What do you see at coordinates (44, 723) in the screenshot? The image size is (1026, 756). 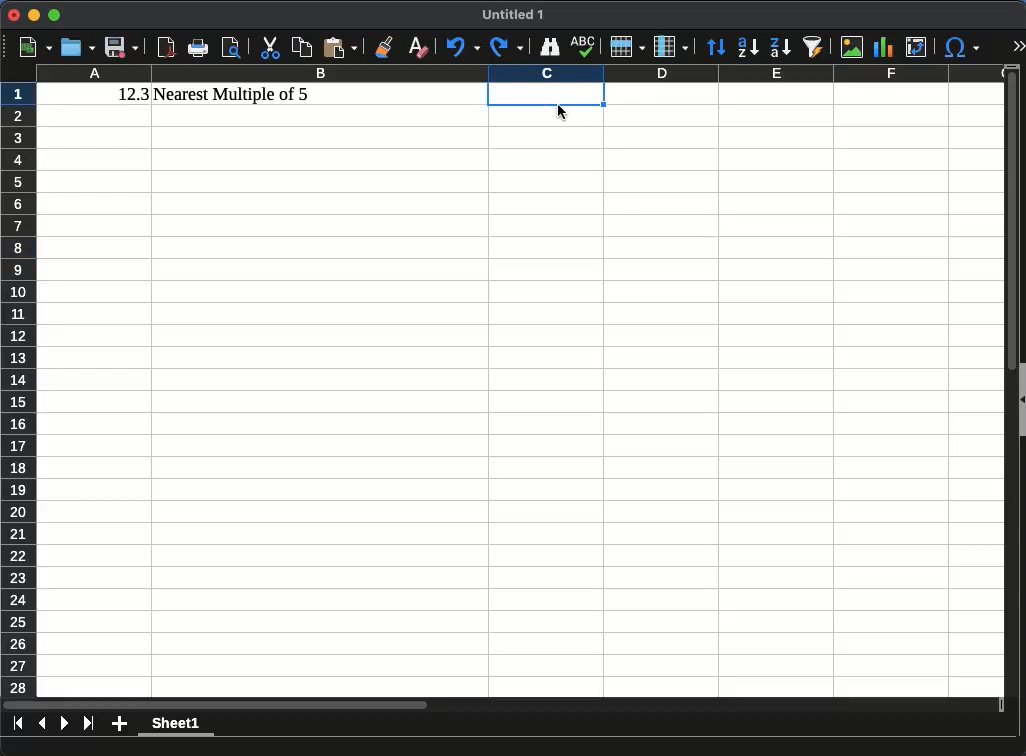 I see `previous sheet` at bounding box center [44, 723].